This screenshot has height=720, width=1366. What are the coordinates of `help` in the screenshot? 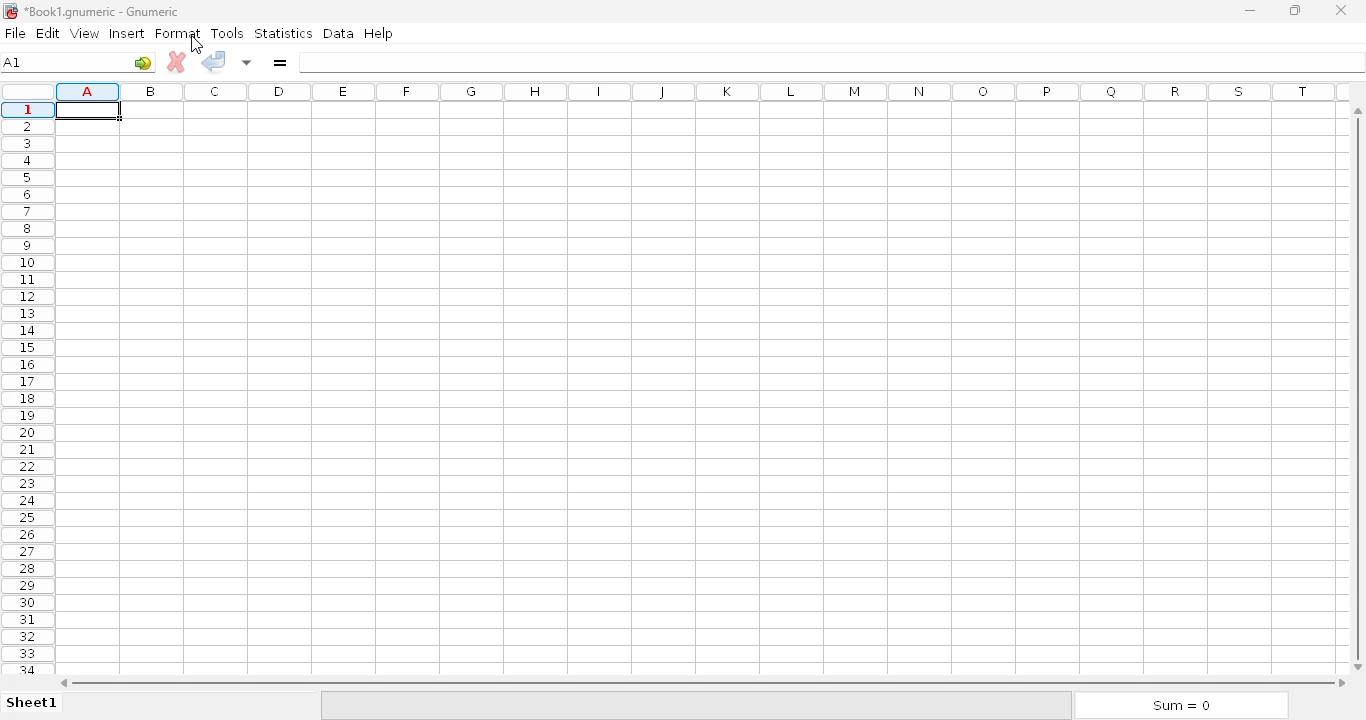 It's located at (378, 33).